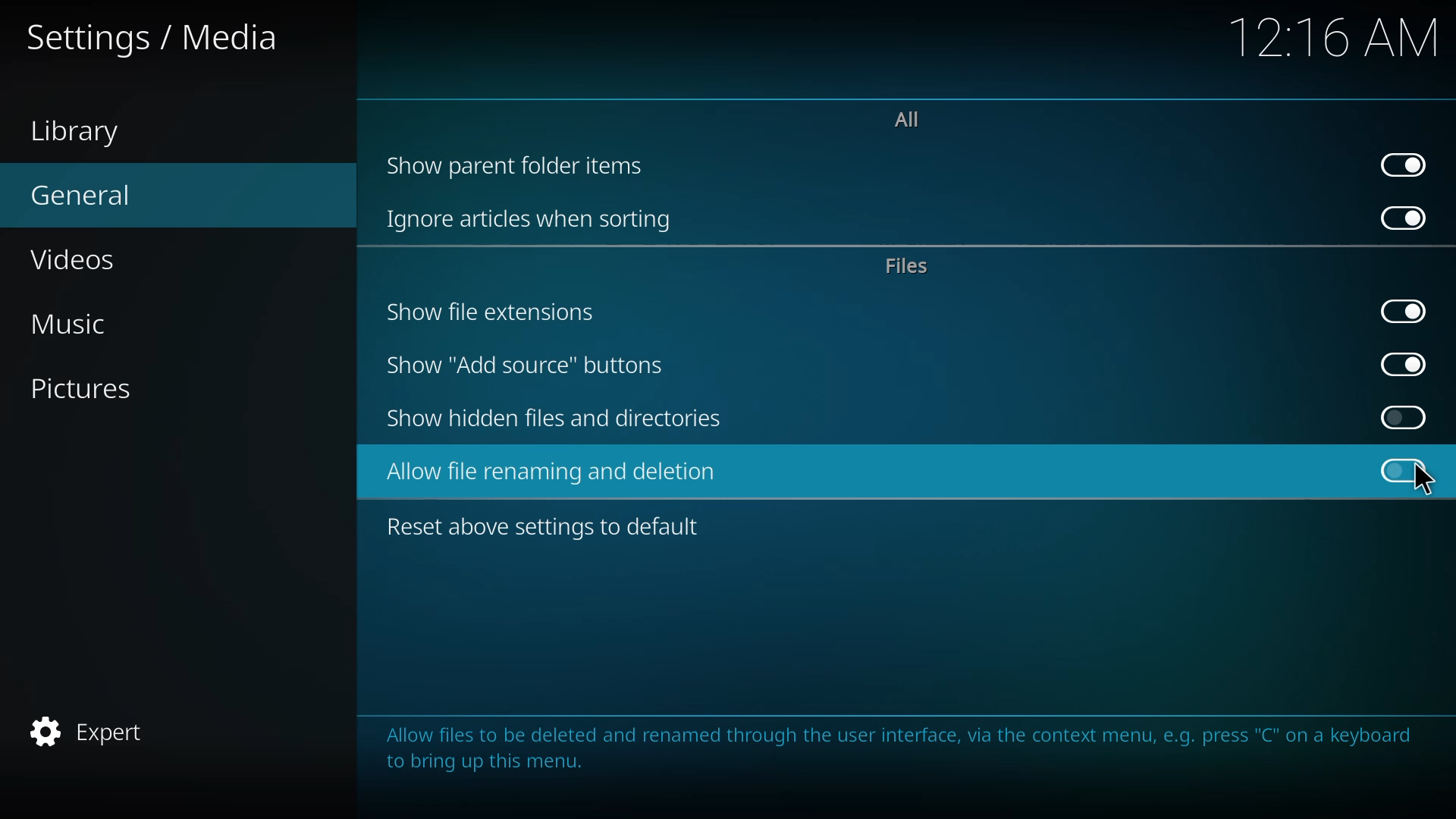  Describe the element at coordinates (911, 265) in the screenshot. I see `files` at that location.